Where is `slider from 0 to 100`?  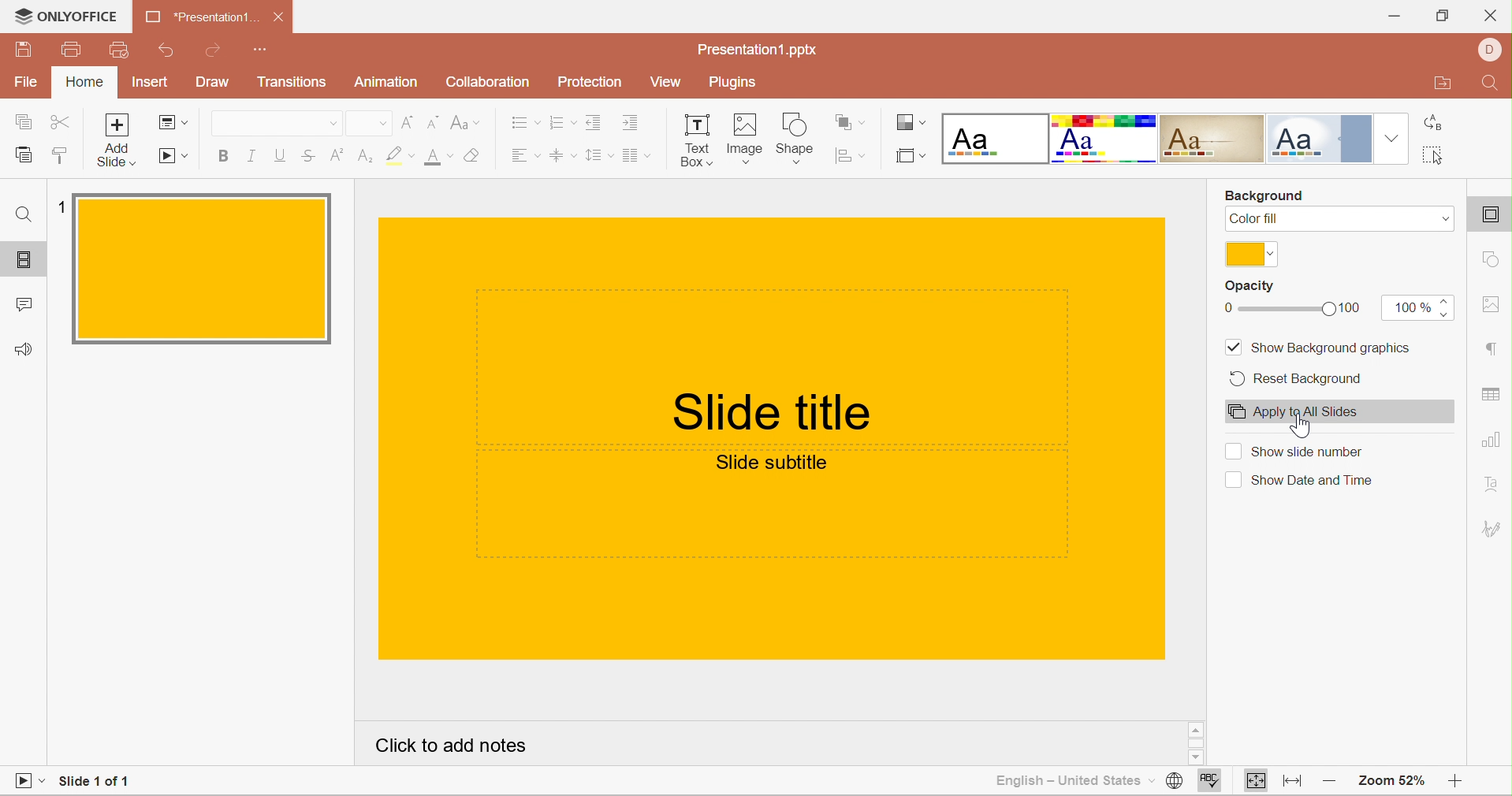 slider from 0 to 100 is located at coordinates (1292, 307).